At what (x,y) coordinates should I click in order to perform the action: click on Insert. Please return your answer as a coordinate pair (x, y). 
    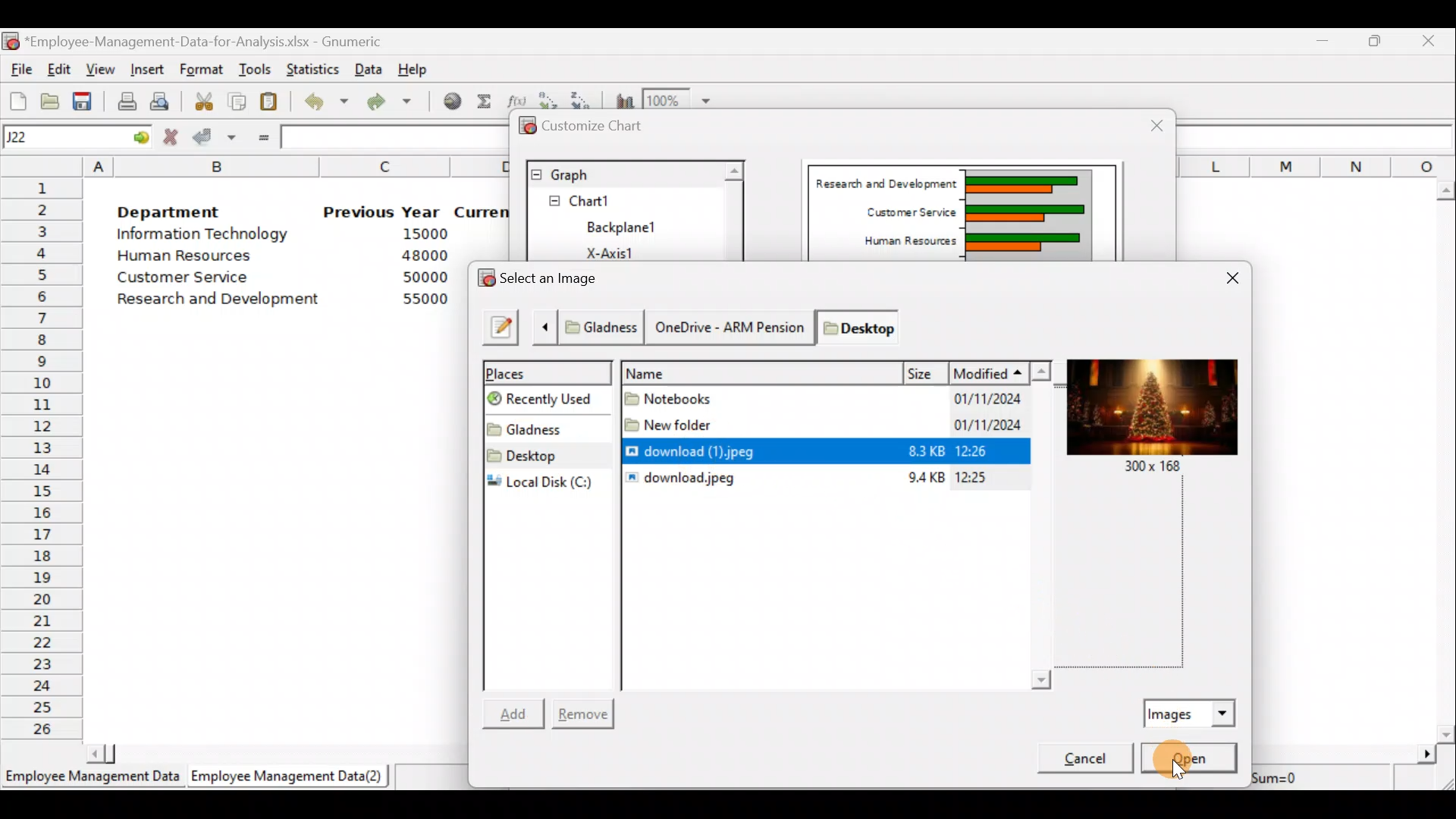
    Looking at the image, I should click on (150, 67).